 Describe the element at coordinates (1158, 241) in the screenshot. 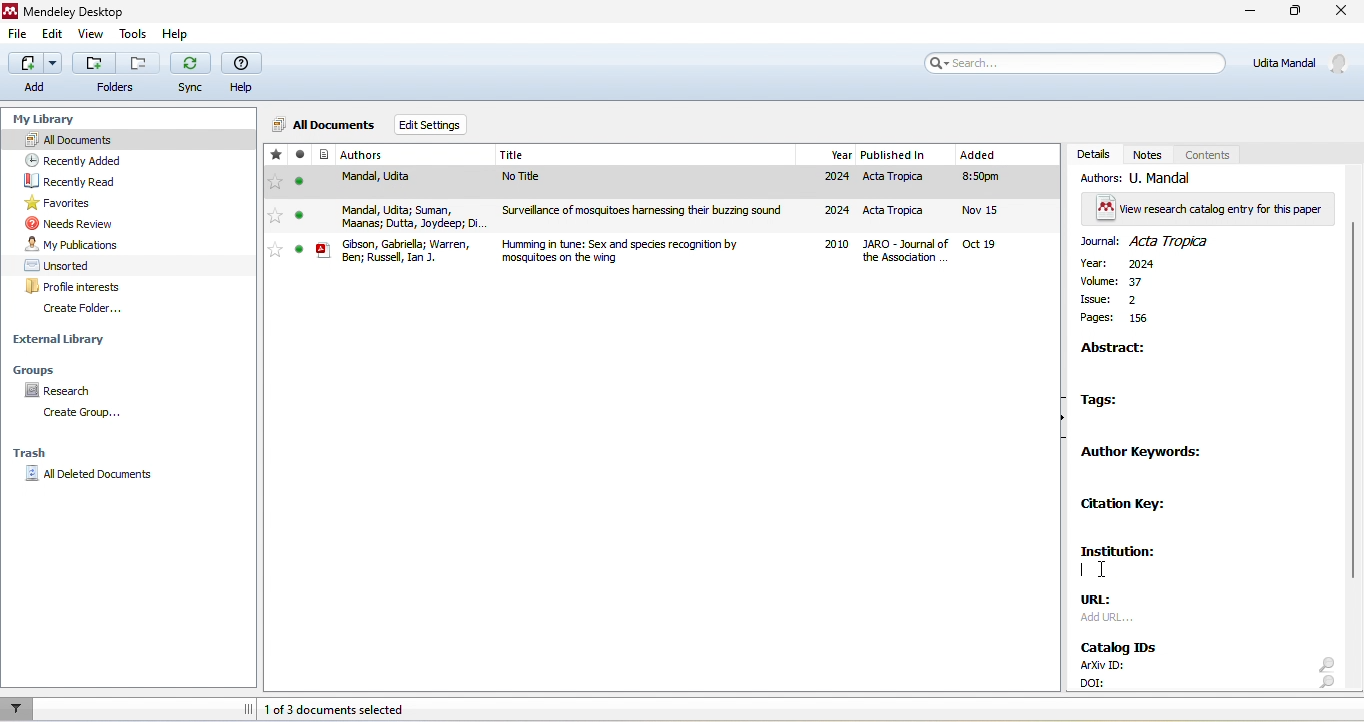

I see `journal : acta tropica` at that location.